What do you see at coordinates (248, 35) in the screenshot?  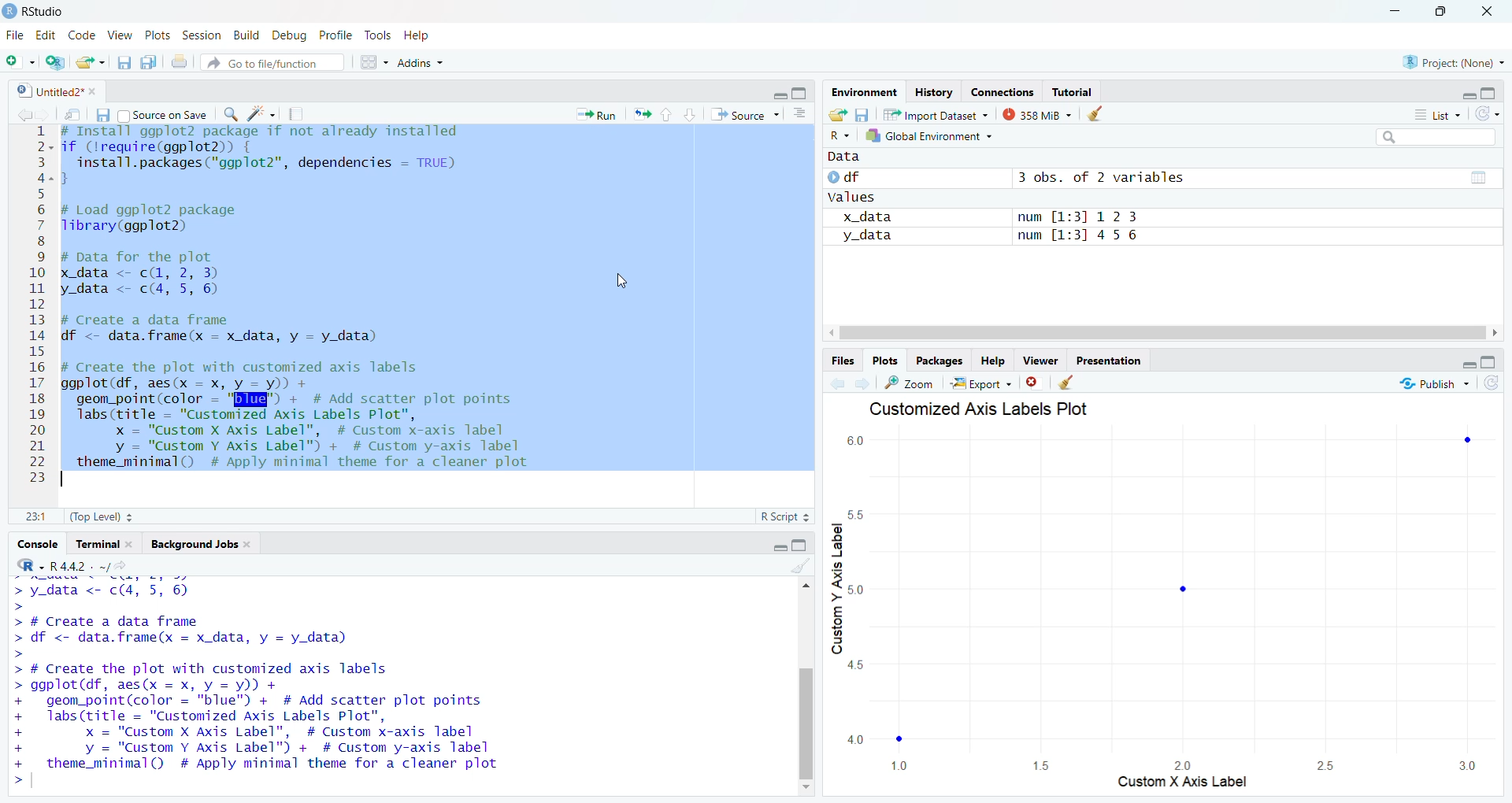 I see `Build` at bounding box center [248, 35].